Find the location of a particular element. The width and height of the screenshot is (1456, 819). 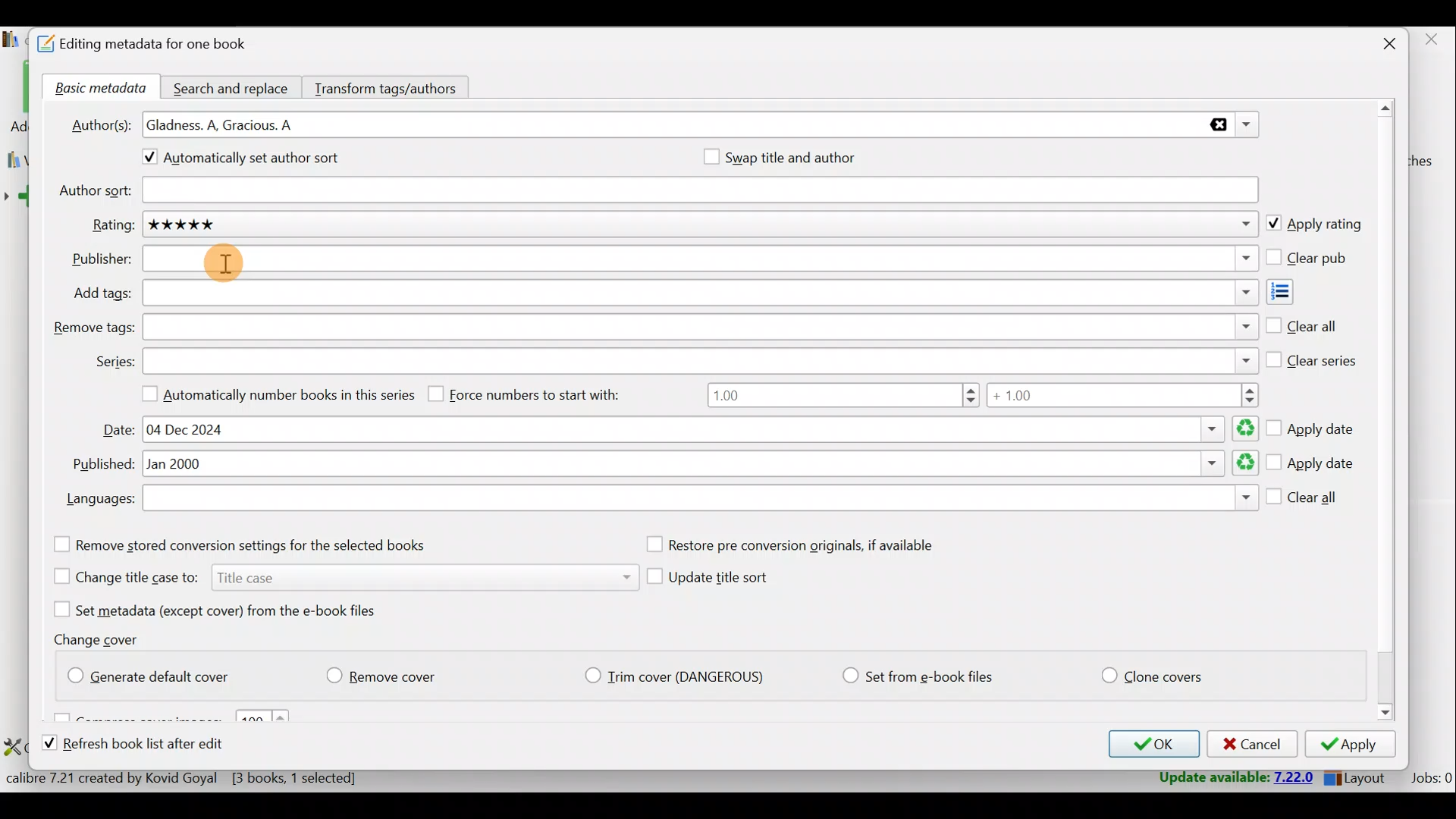

Authors is located at coordinates (702, 126).